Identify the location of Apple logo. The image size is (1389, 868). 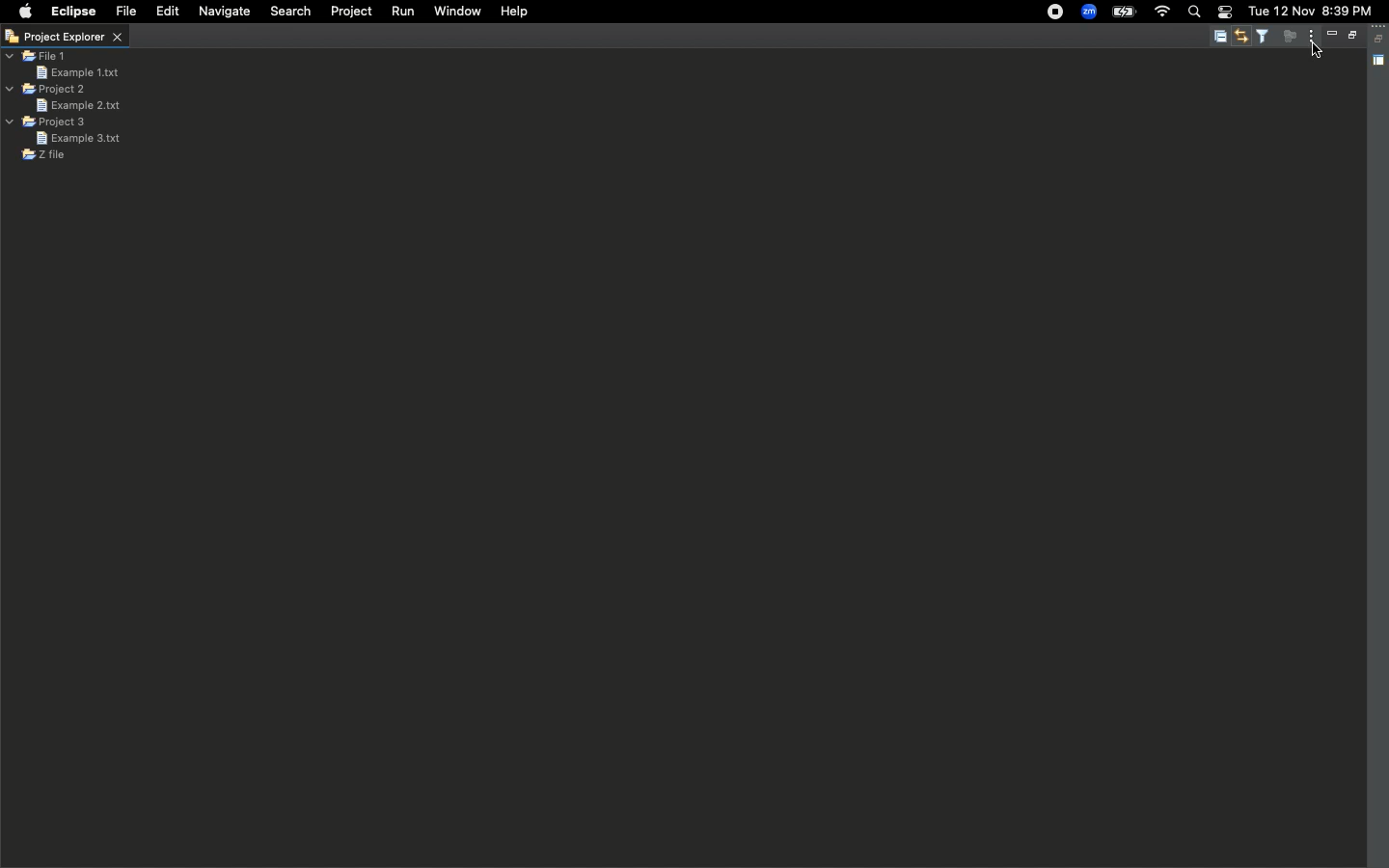
(26, 11).